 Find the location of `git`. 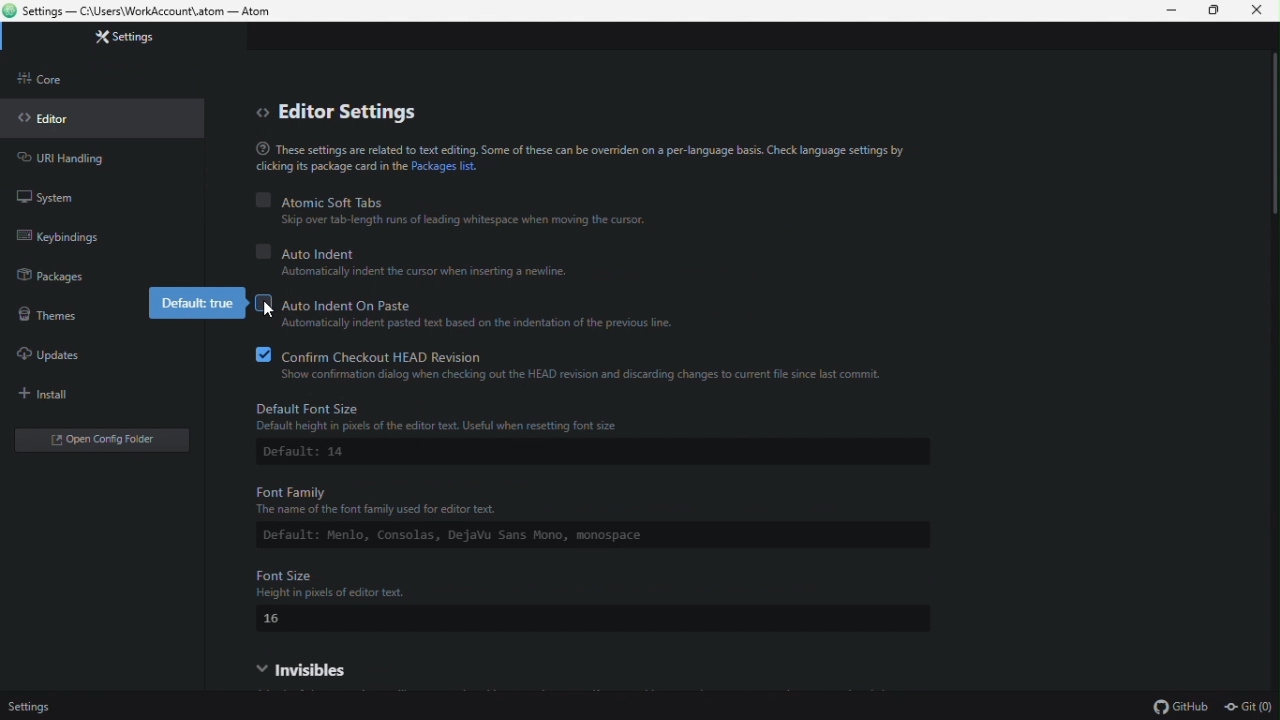

git is located at coordinates (1252, 708).